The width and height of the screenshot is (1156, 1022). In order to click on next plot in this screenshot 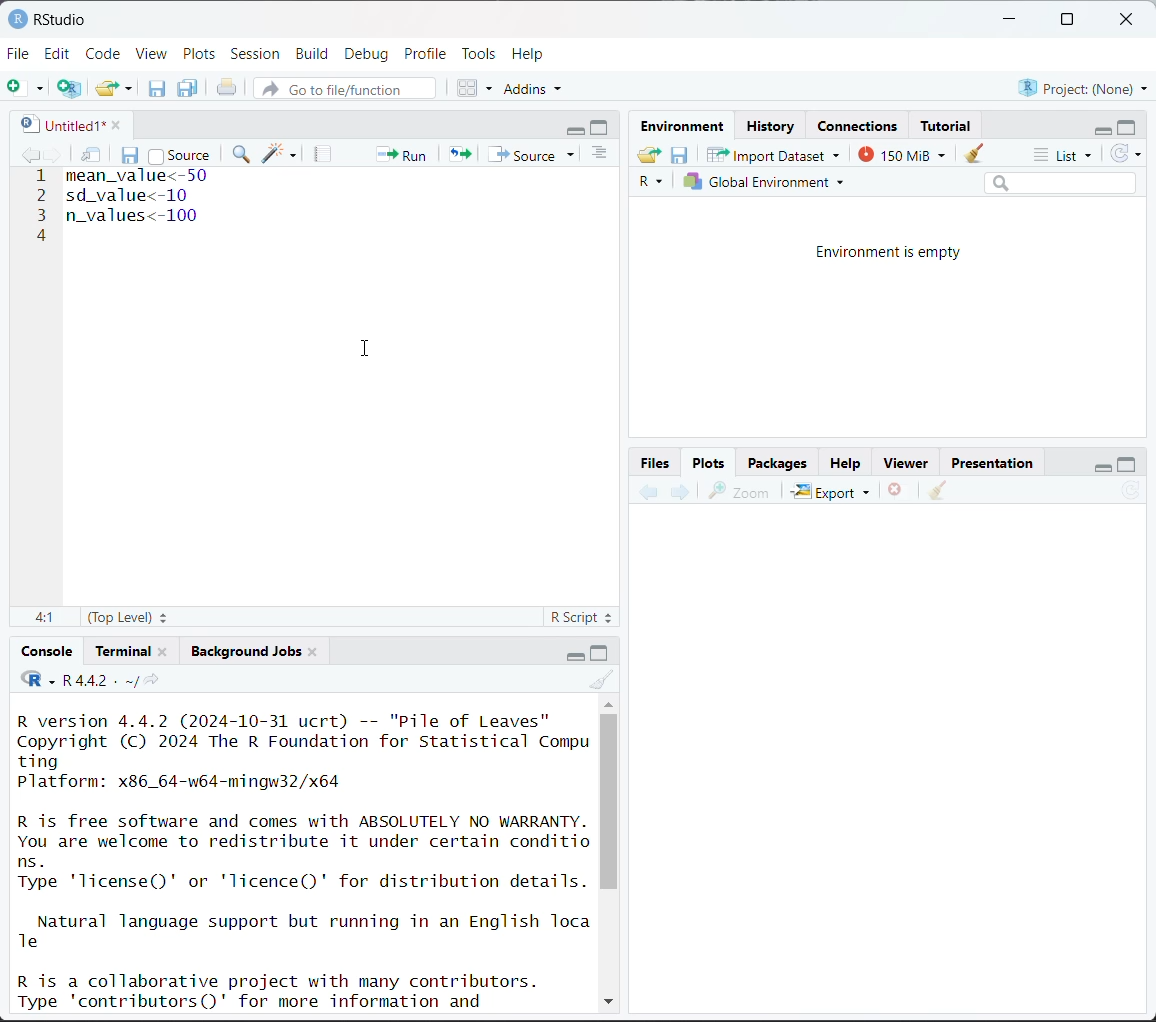, I will do `click(678, 492)`.